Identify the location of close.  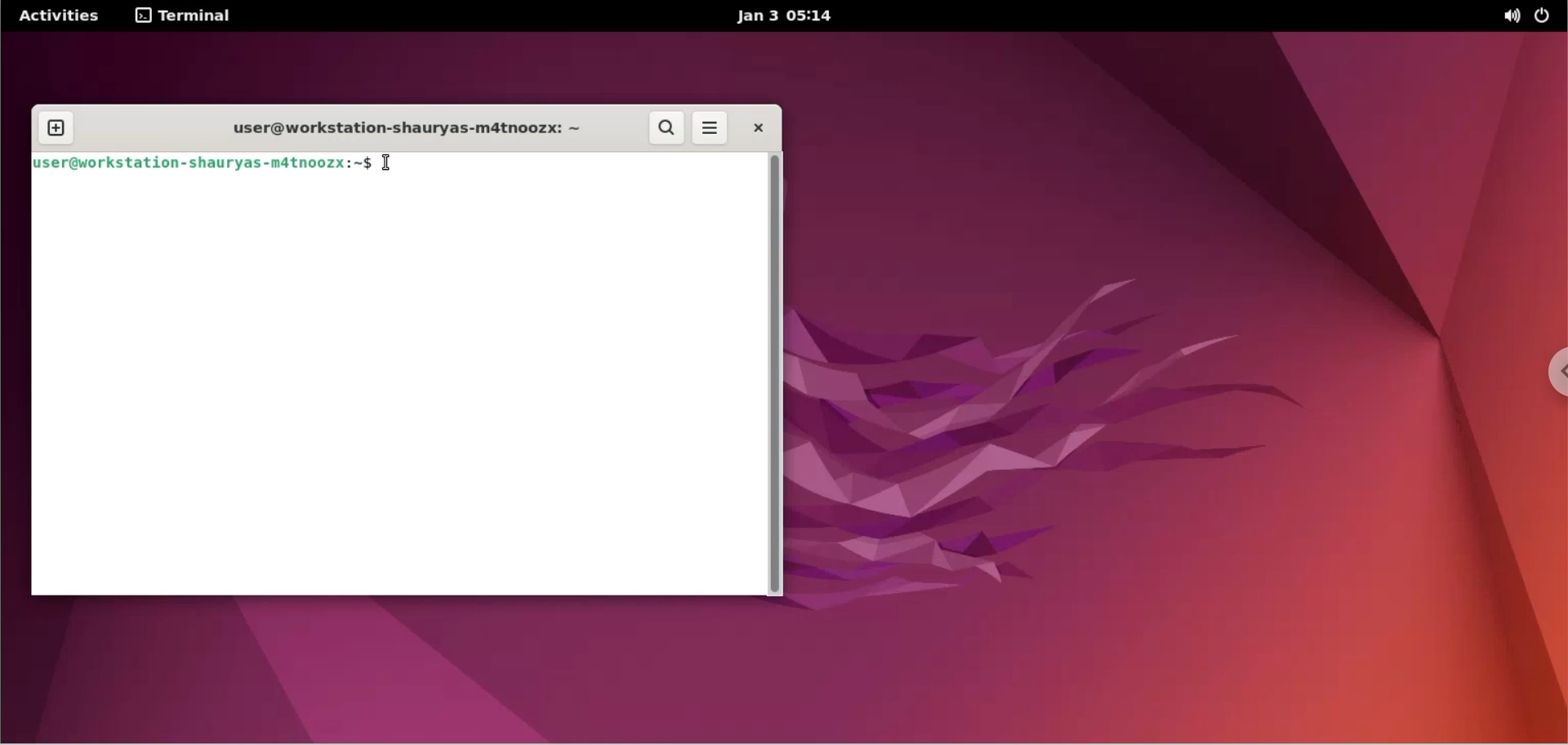
(760, 128).